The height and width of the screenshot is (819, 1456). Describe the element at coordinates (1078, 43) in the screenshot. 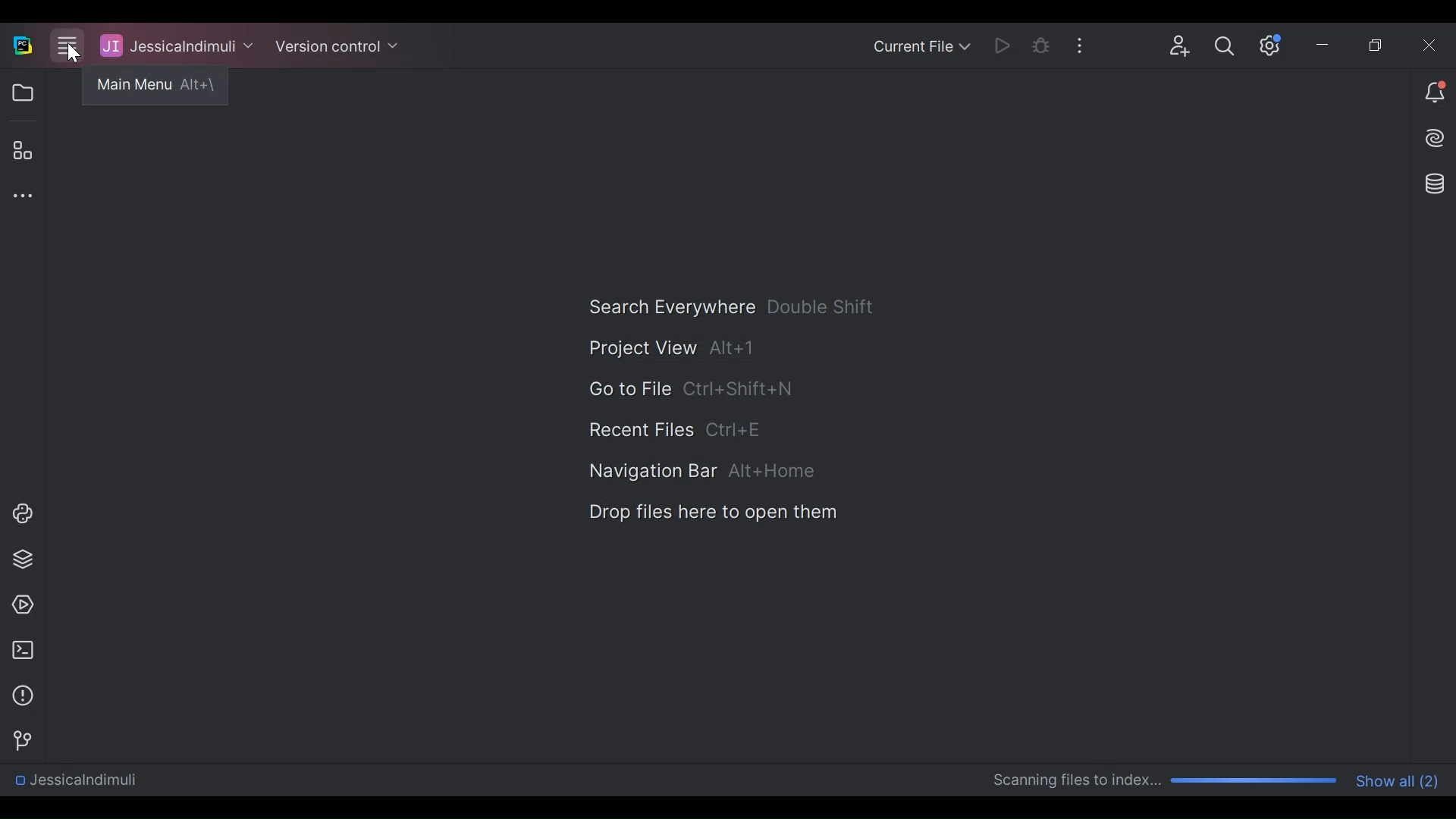

I see `More` at that location.